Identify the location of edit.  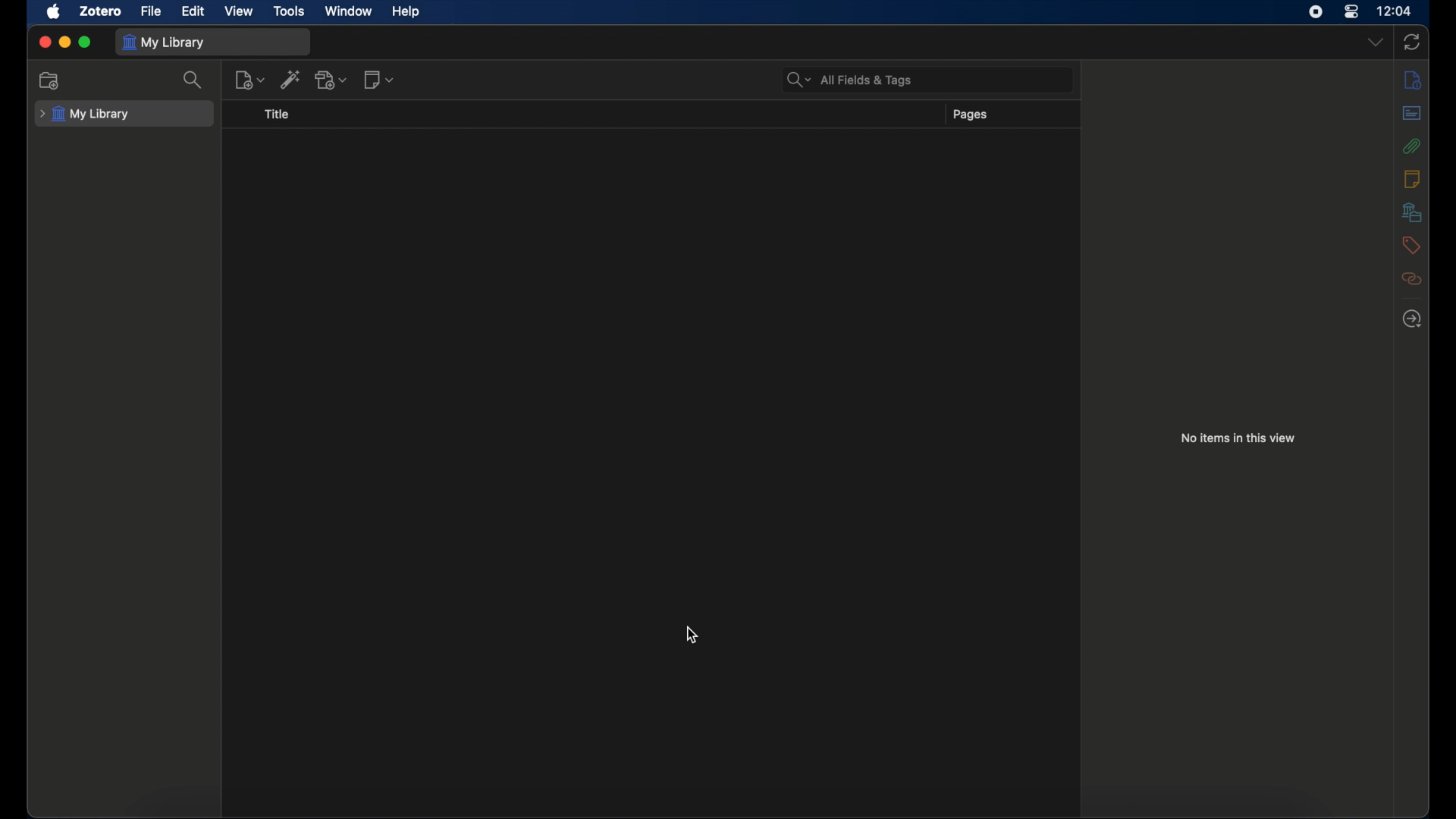
(196, 11).